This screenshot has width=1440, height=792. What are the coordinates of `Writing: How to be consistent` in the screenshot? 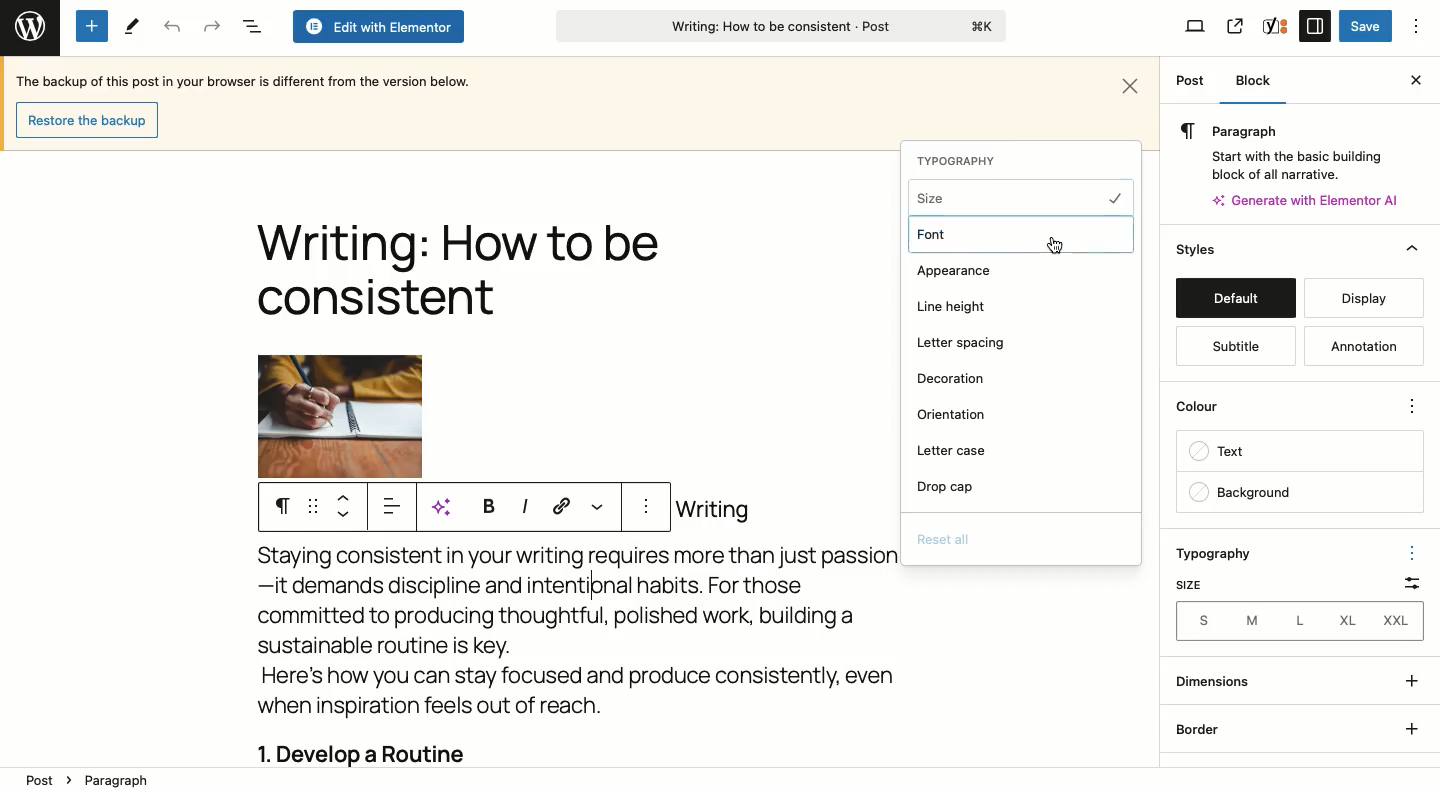 It's located at (779, 29).